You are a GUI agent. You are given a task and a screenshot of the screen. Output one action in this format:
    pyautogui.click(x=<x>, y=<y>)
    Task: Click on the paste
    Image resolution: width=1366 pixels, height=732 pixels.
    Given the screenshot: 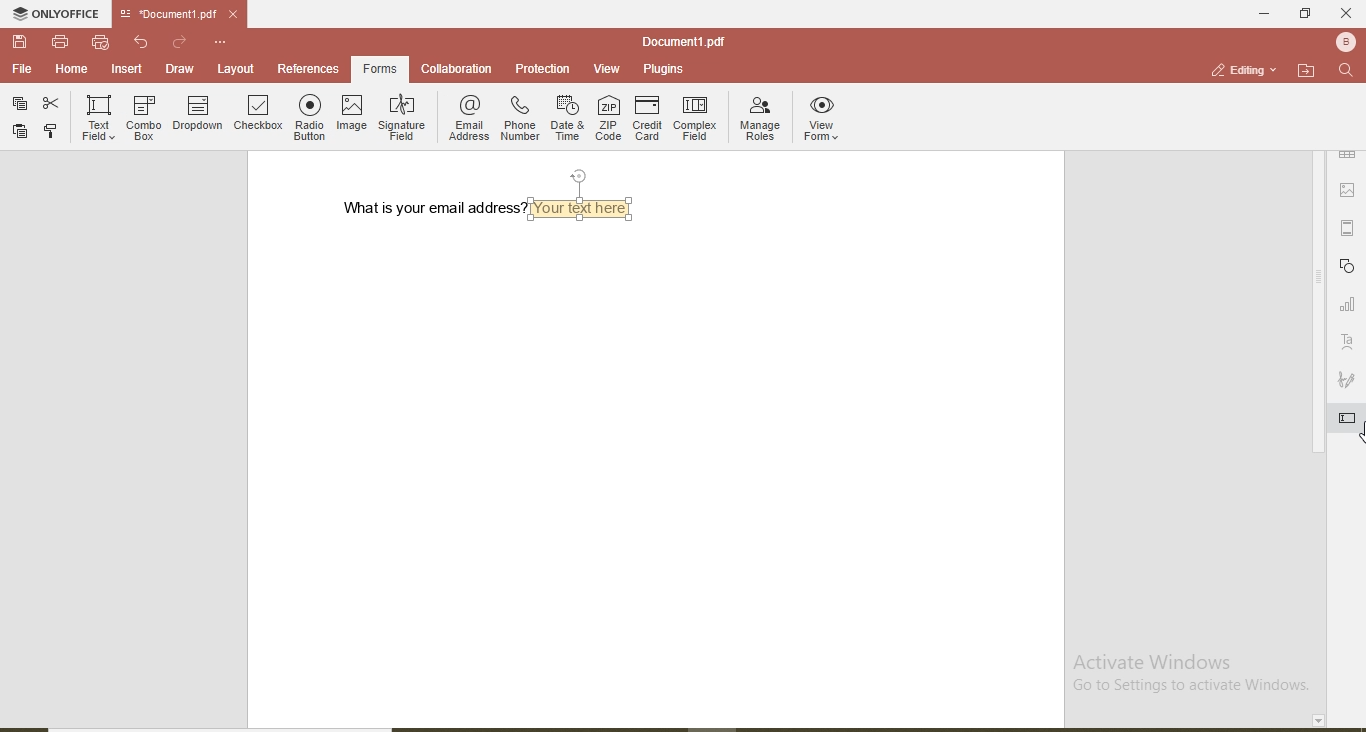 What is the action you would take?
    pyautogui.click(x=19, y=131)
    